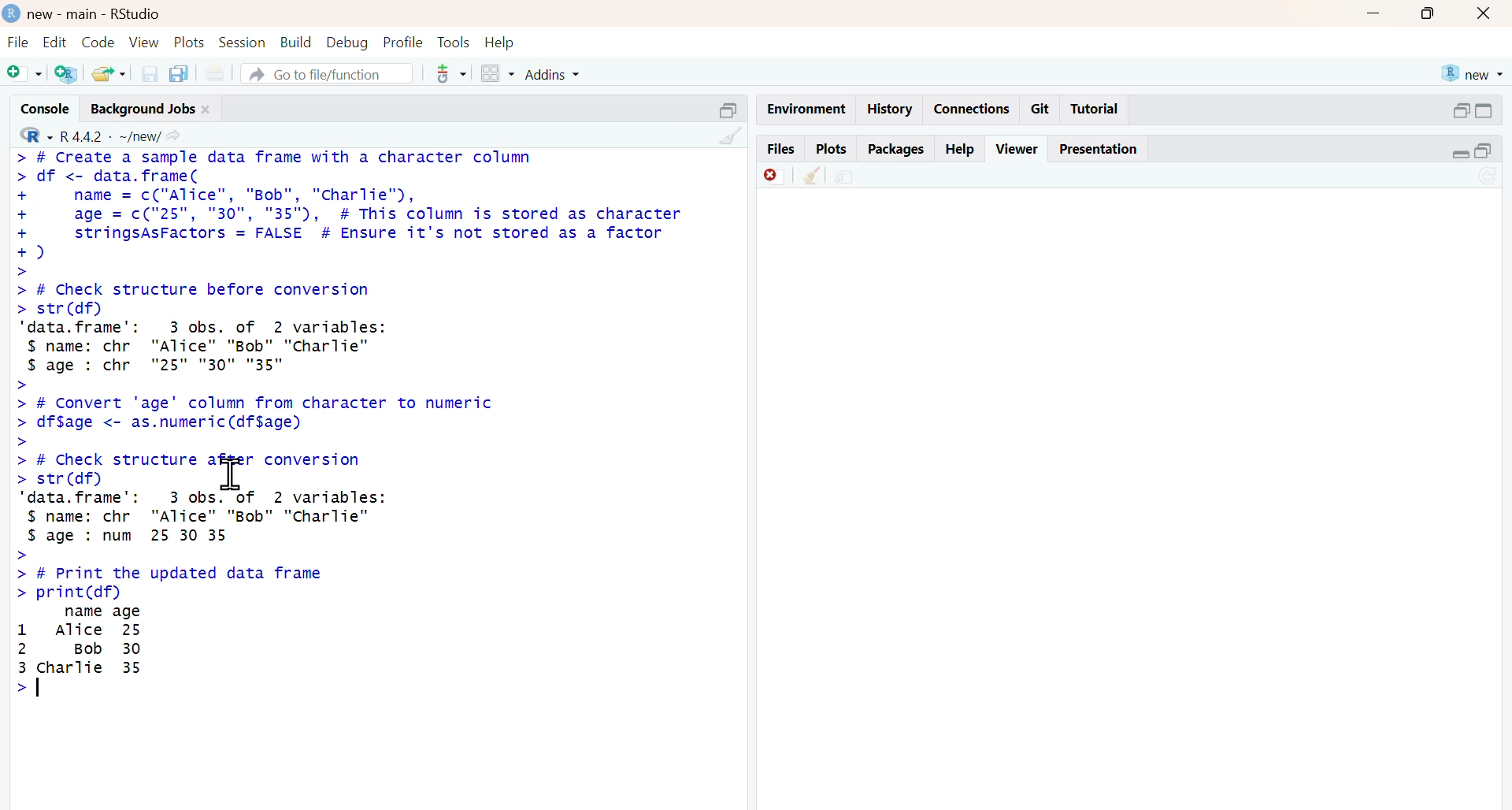 The width and height of the screenshot is (1512, 810). I want to click on tools, so click(453, 73).